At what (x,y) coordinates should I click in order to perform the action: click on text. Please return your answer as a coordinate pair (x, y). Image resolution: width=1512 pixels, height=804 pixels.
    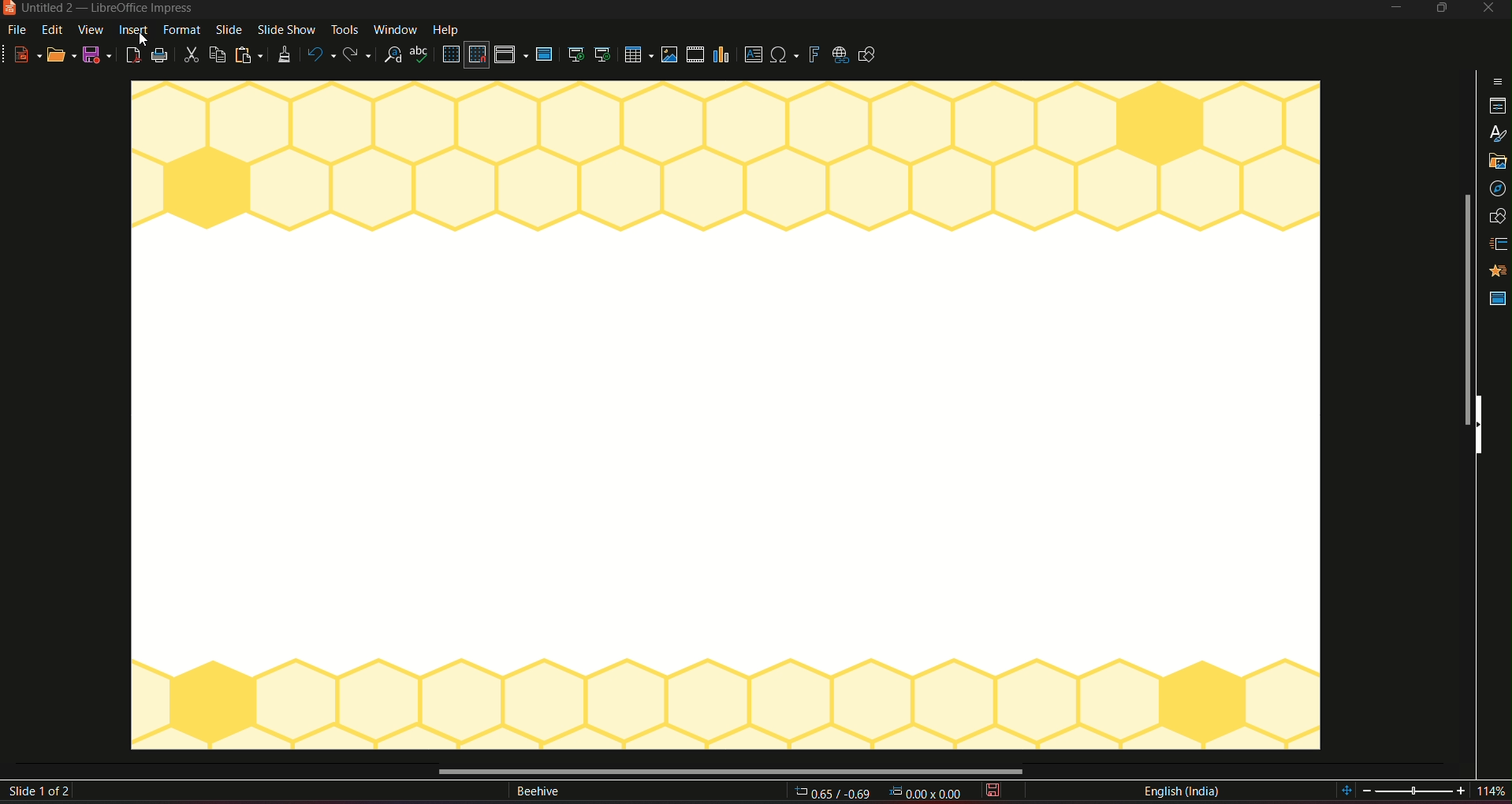
    Looking at the image, I should click on (537, 793).